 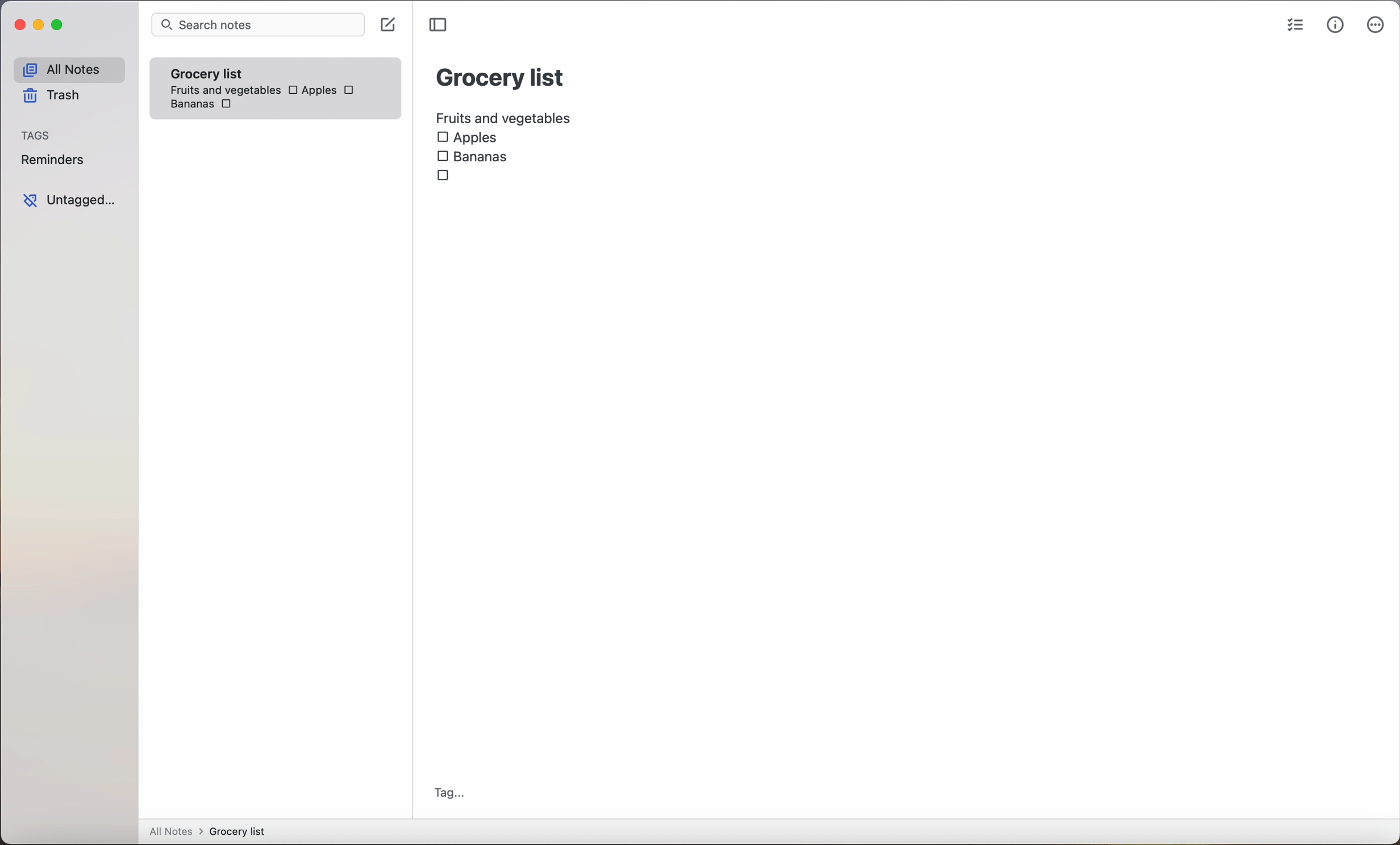 I want to click on grocery list, so click(x=501, y=76).